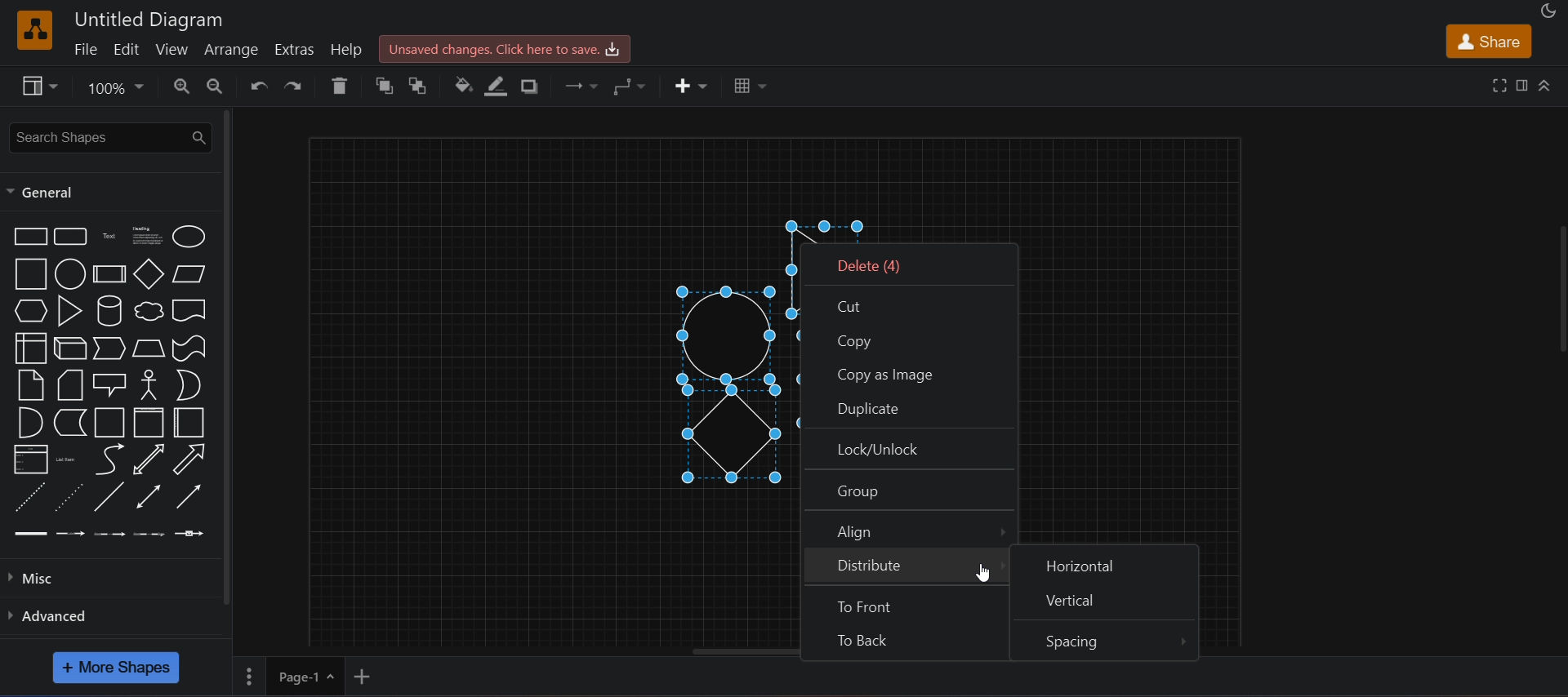 The image size is (1568, 697). Describe the element at coordinates (903, 642) in the screenshot. I see `to back` at that location.